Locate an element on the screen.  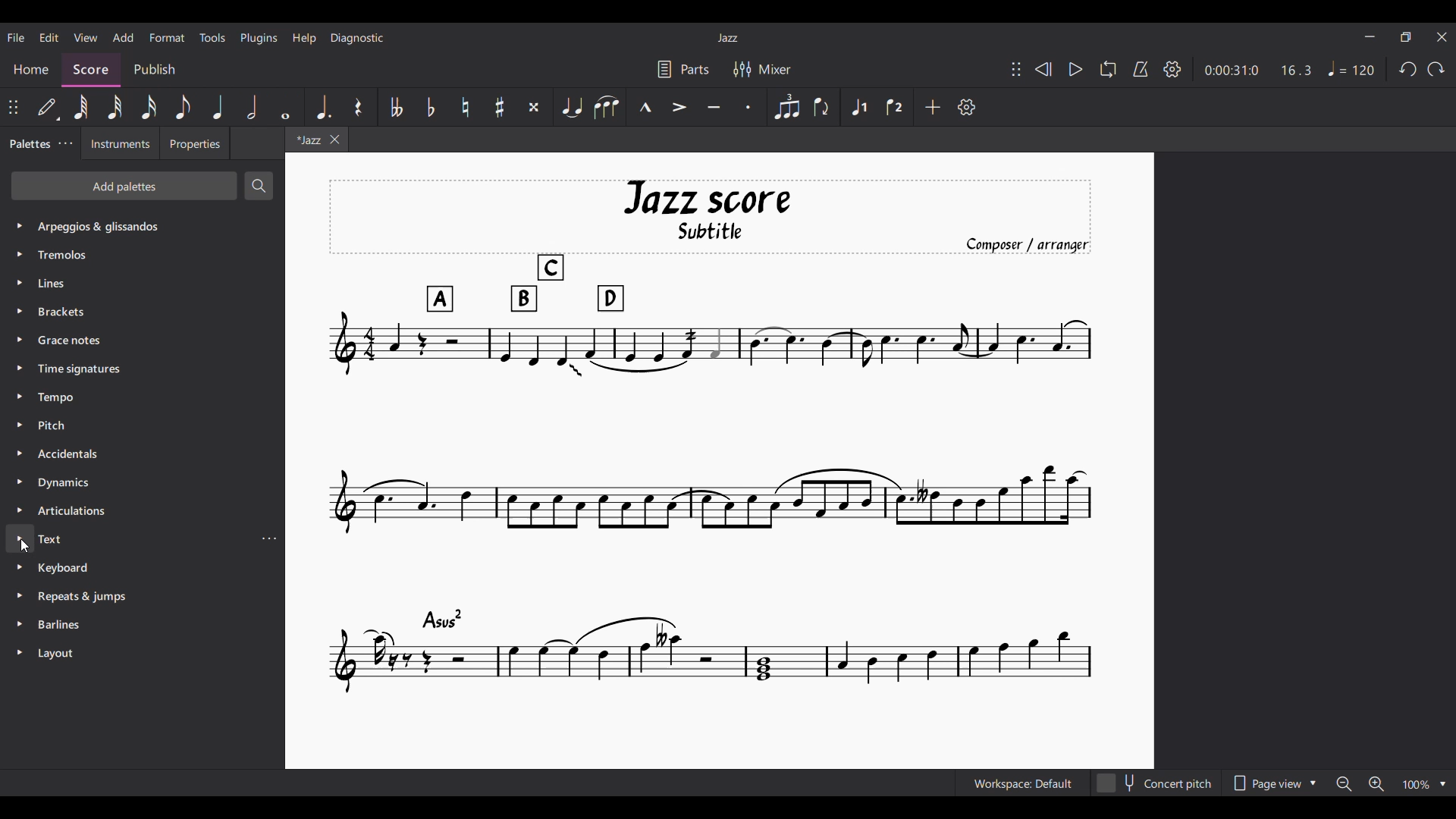
Publish section is located at coordinates (155, 70).